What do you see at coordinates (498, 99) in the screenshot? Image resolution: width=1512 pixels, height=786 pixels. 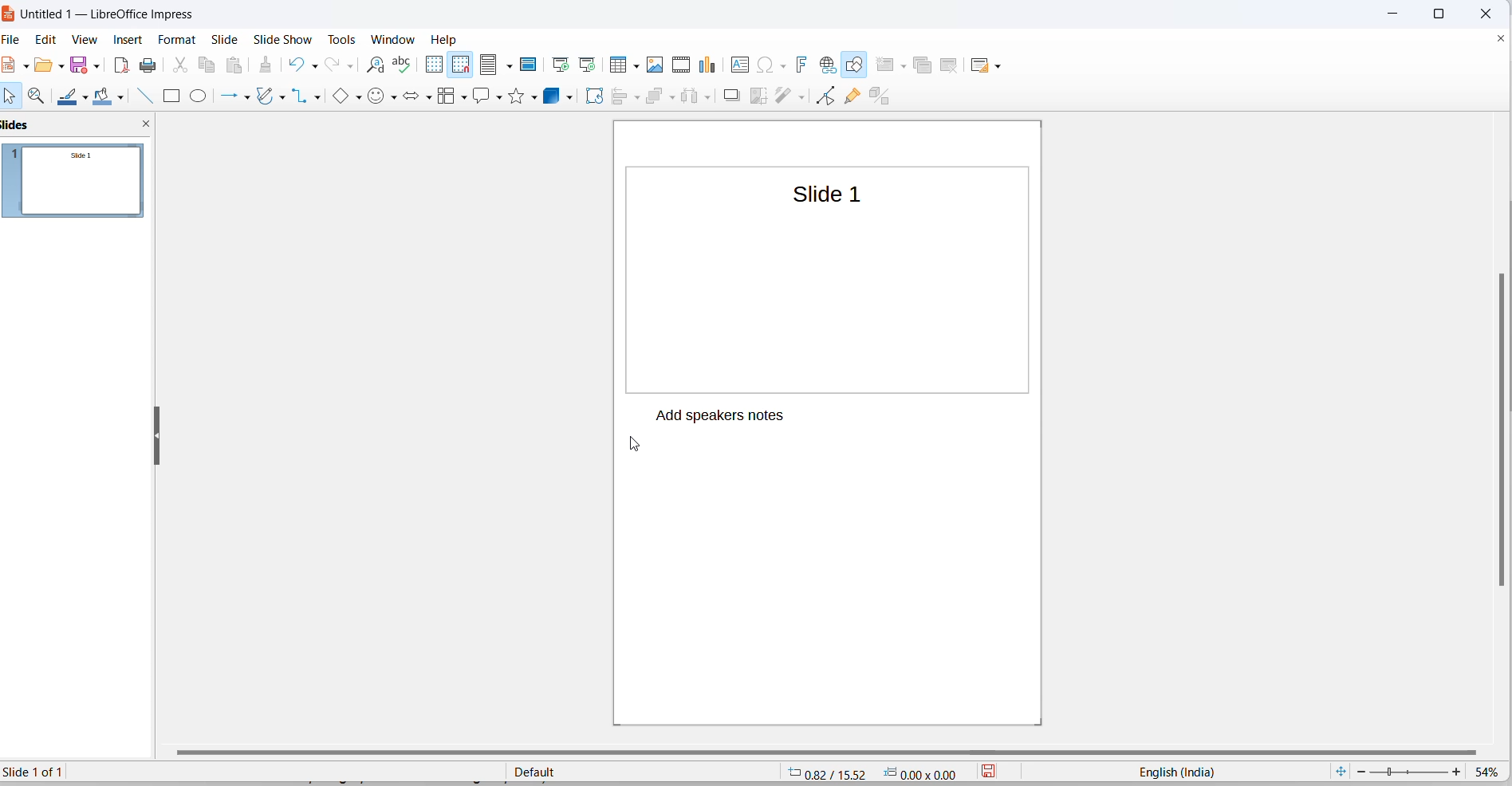 I see `callout shapes options` at bounding box center [498, 99].